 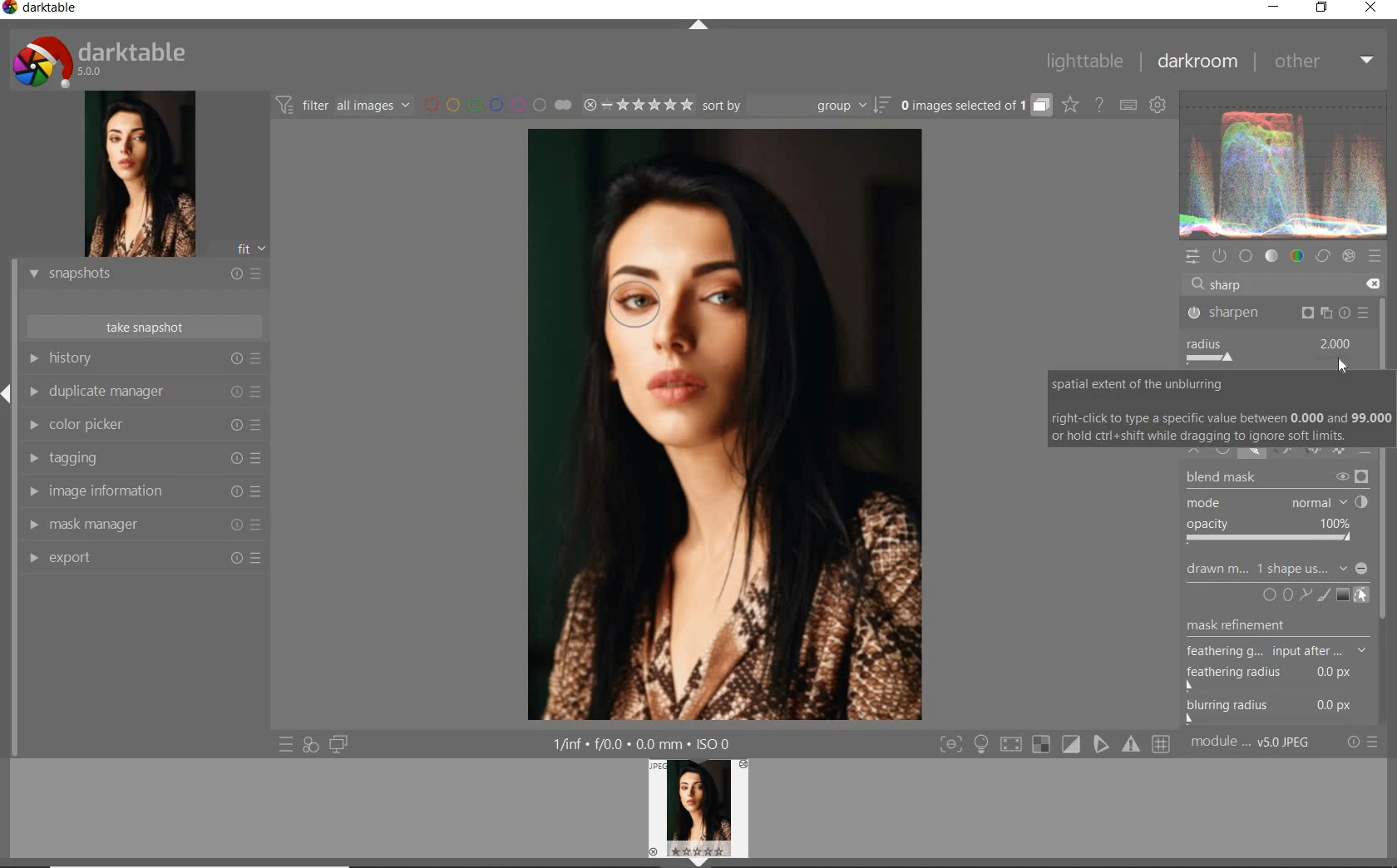 I want to click on quick access panel, so click(x=1195, y=259).